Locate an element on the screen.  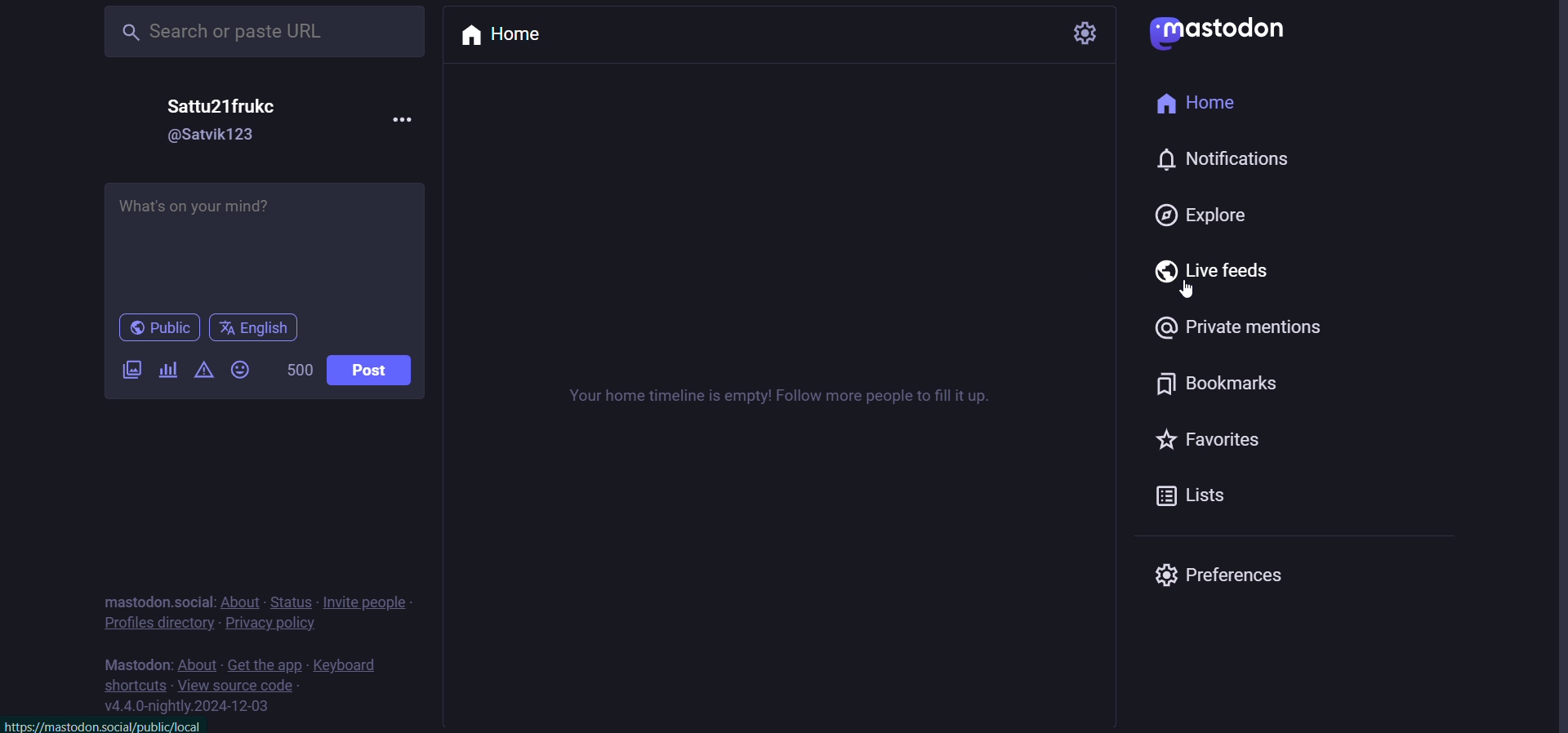
@Satvik123 is located at coordinates (220, 136).